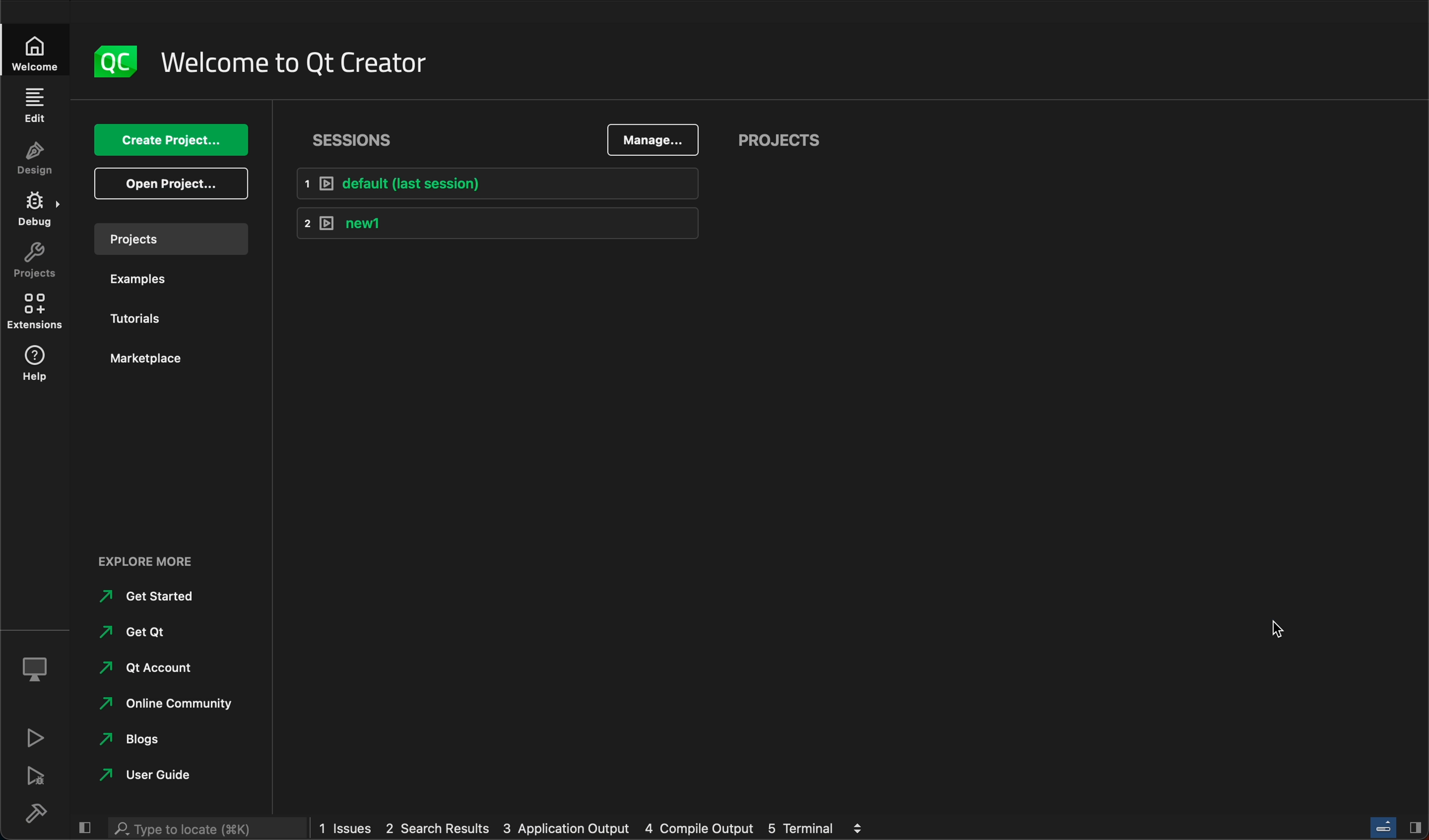 The height and width of the screenshot is (840, 1429). Describe the element at coordinates (39, 814) in the screenshot. I see `build` at that location.